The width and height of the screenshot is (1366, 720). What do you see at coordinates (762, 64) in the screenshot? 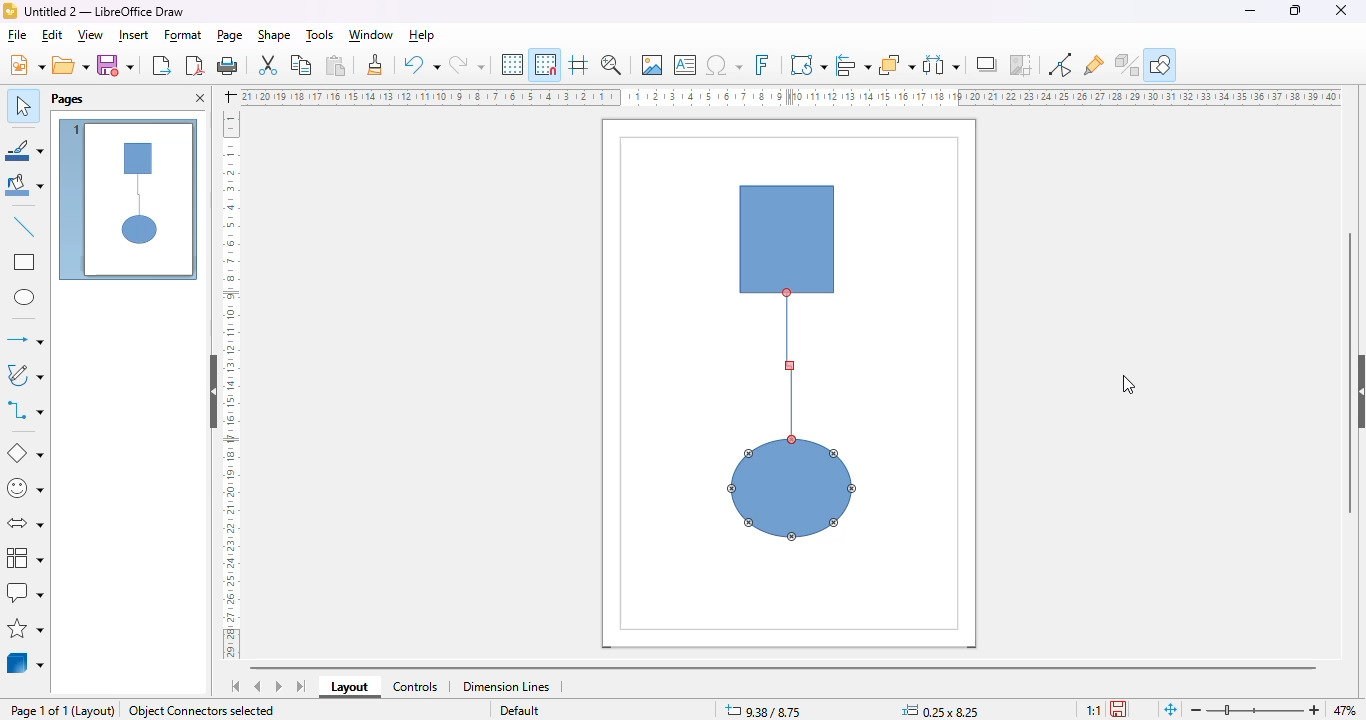
I see `insert fontwork text` at bounding box center [762, 64].